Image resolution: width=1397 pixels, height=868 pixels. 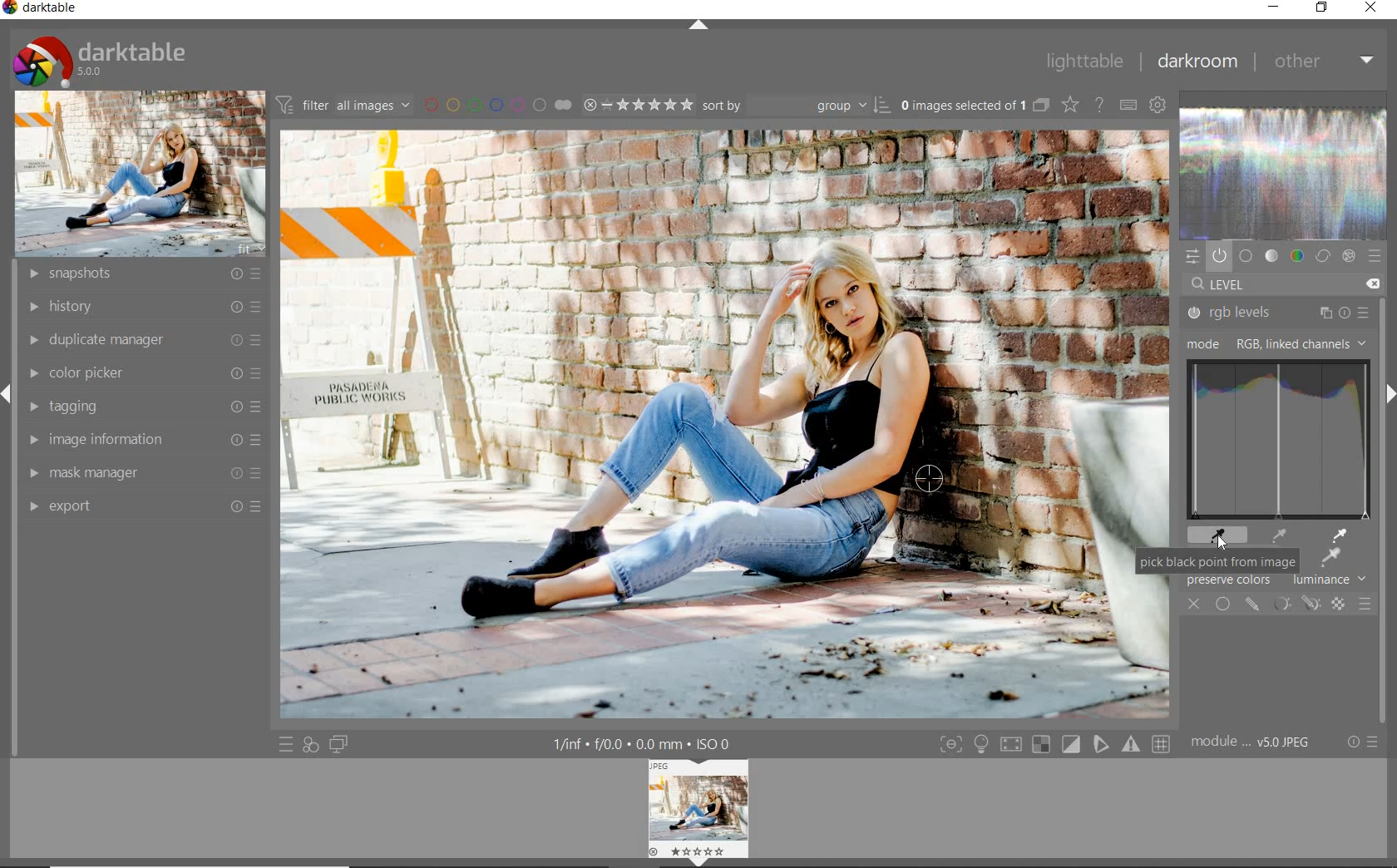 What do you see at coordinates (1285, 172) in the screenshot?
I see `waveform` at bounding box center [1285, 172].